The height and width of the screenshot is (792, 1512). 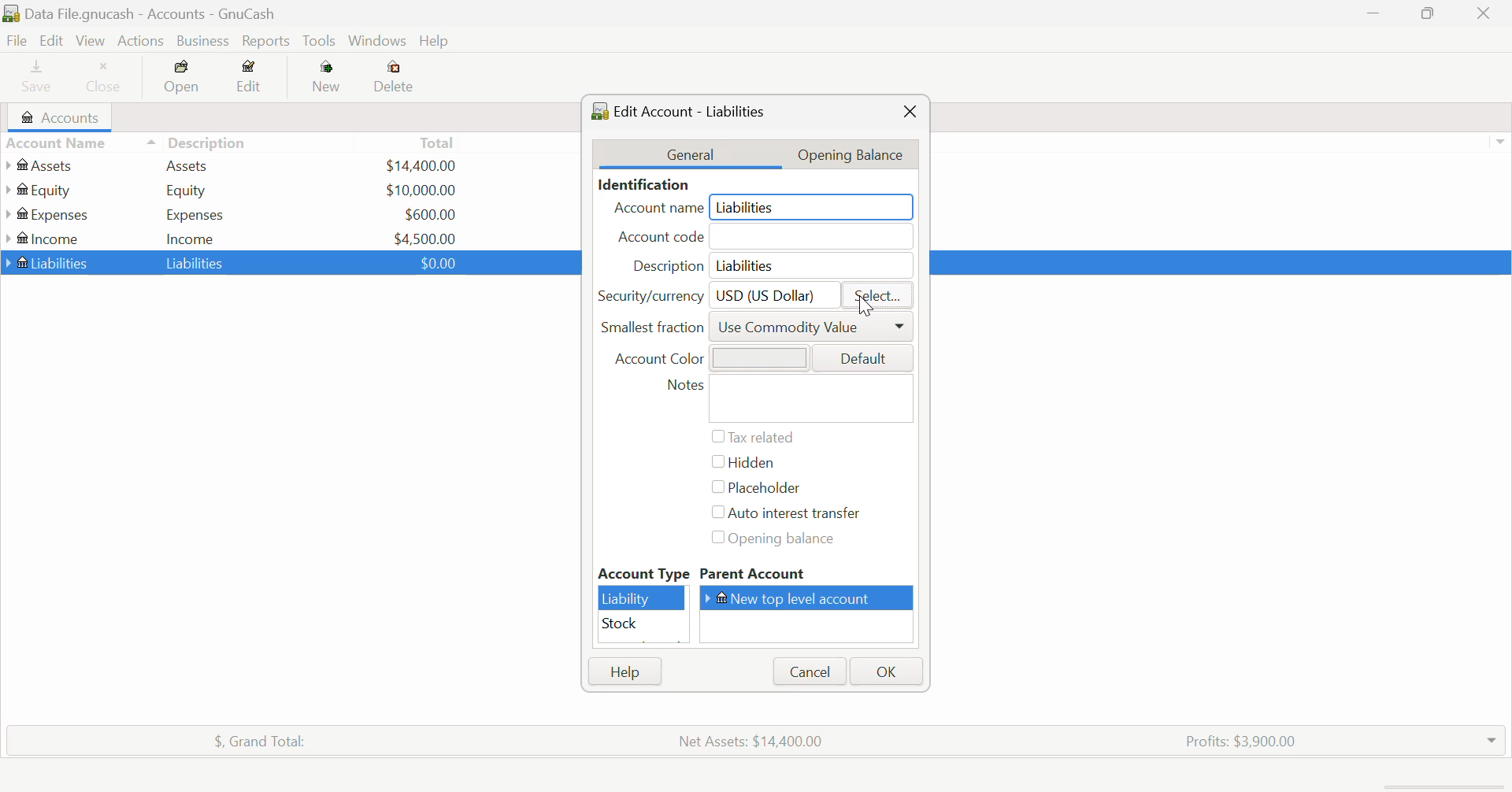 What do you see at coordinates (624, 672) in the screenshot?
I see `Help` at bounding box center [624, 672].